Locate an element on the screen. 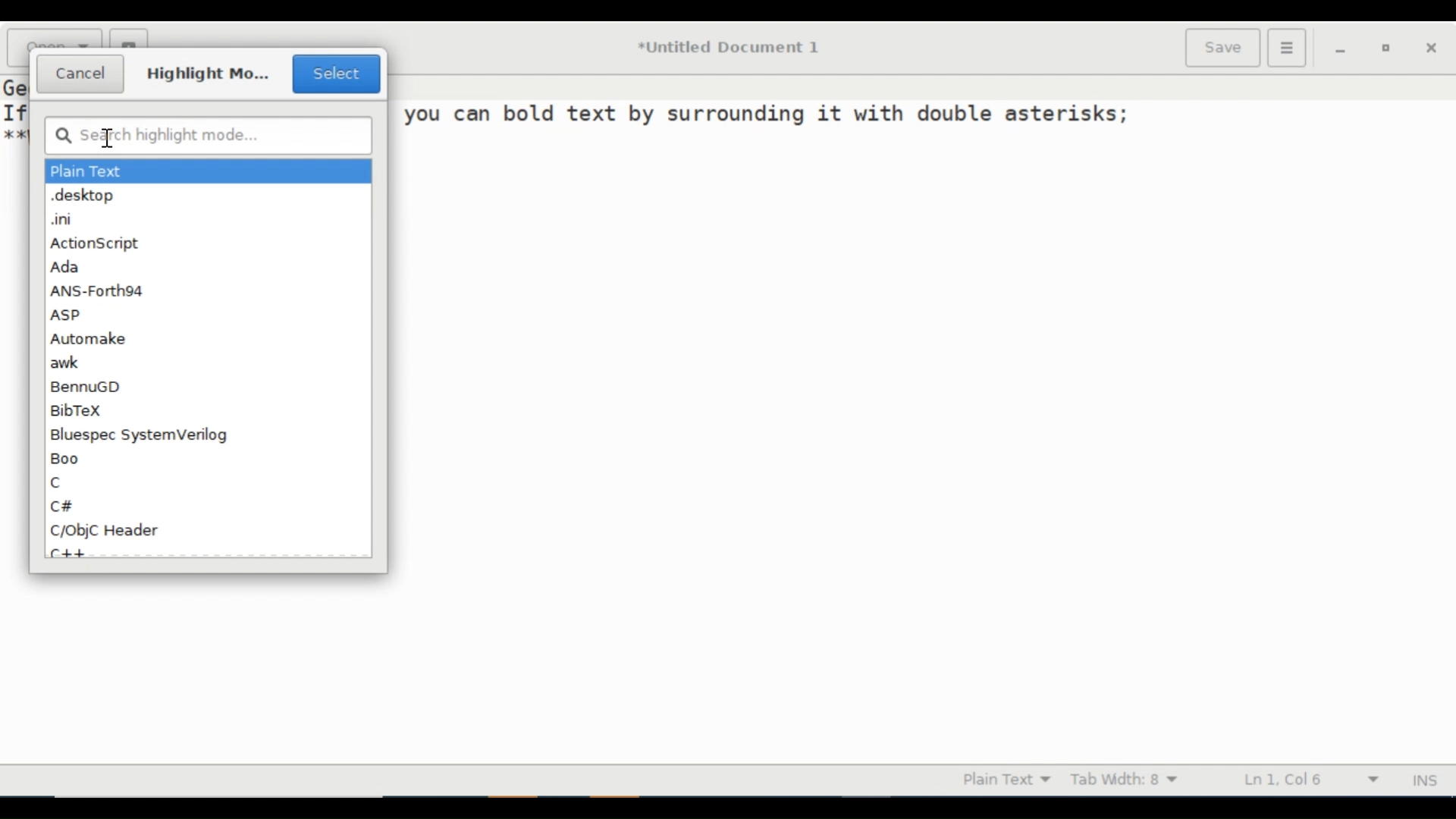  Ada is located at coordinates (67, 265).